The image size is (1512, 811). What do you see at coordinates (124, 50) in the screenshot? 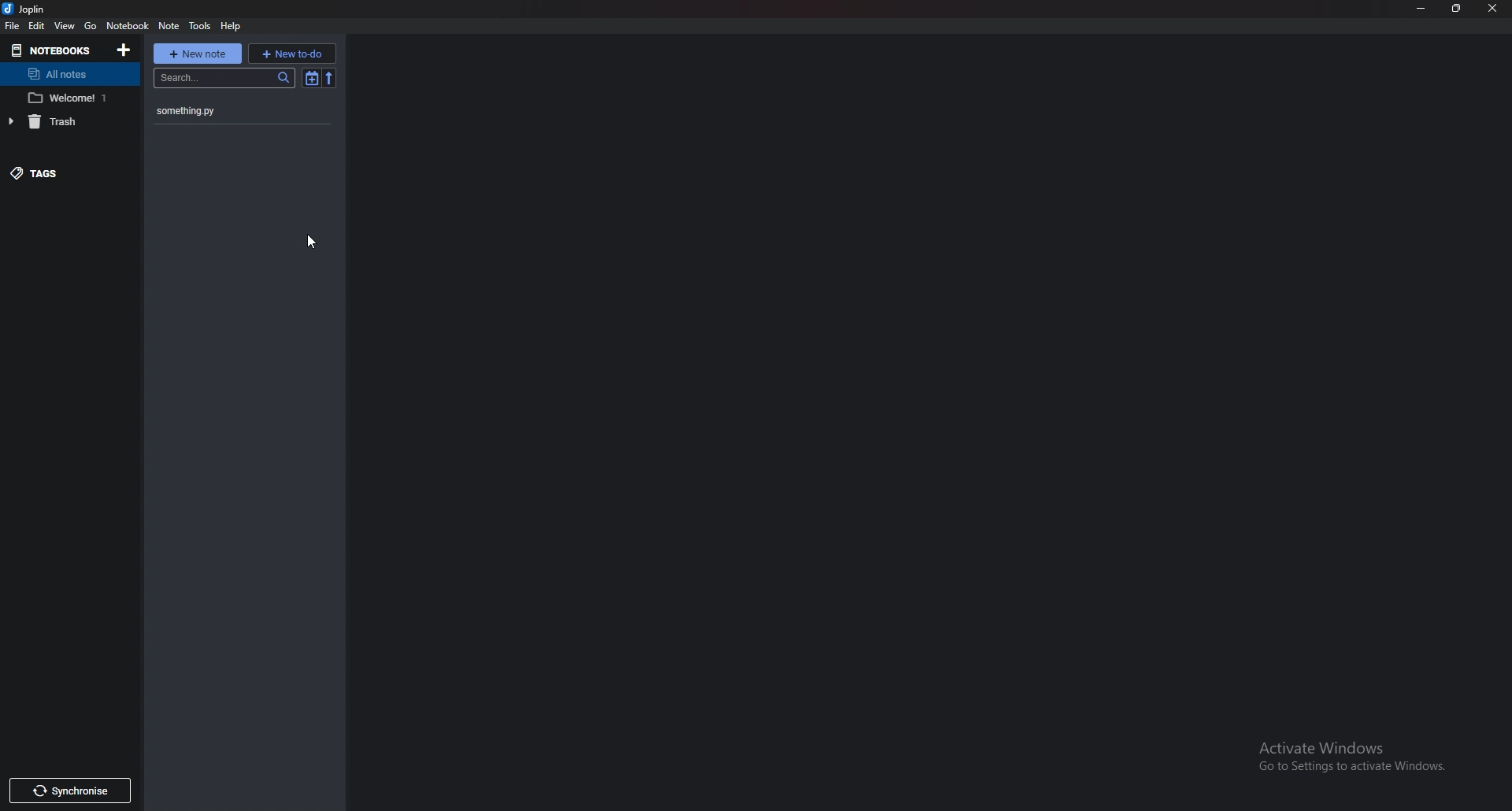
I see `Add notebooks` at bounding box center [124, 50].